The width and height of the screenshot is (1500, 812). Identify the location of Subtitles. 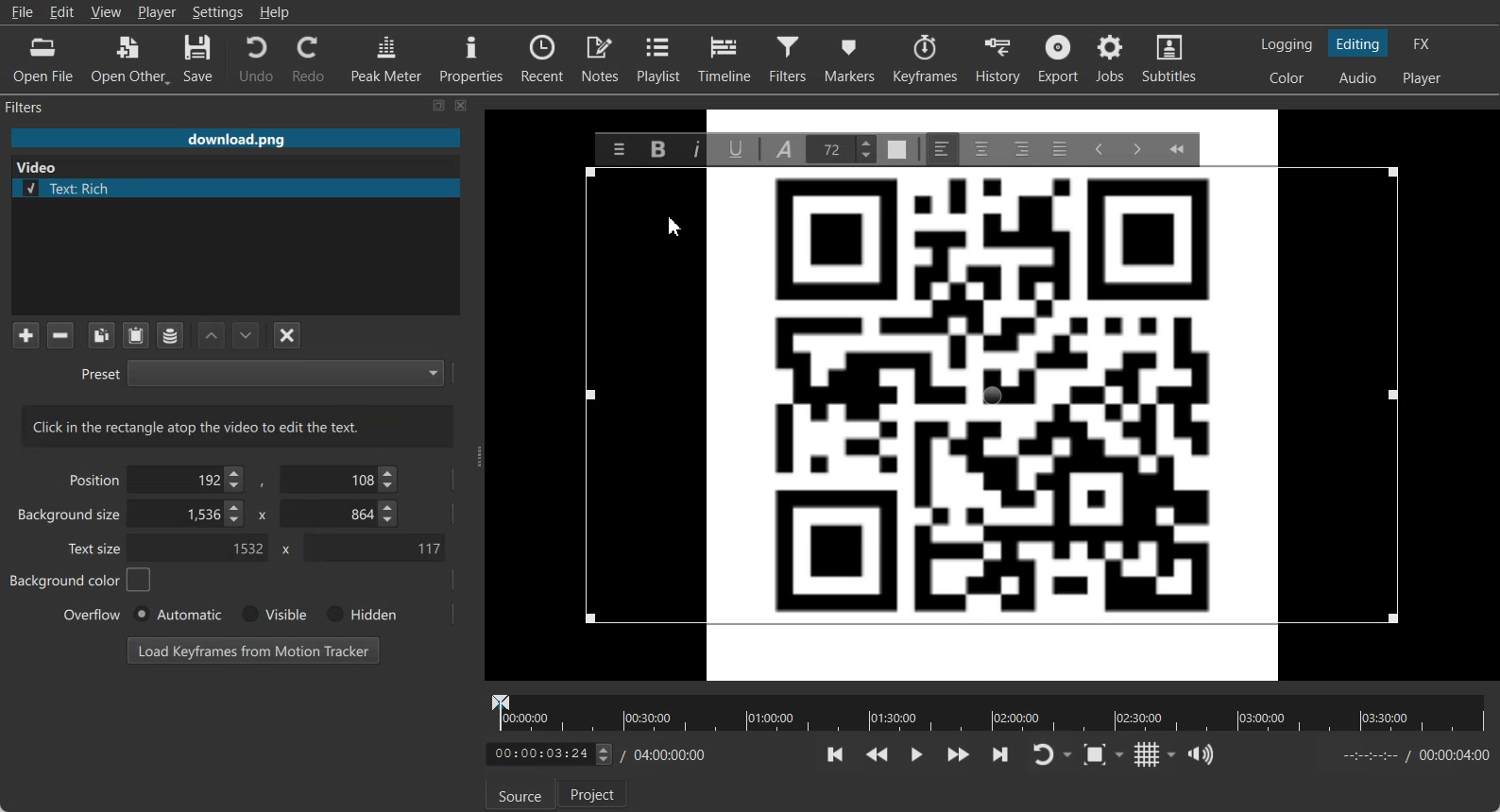
(1170, 59).